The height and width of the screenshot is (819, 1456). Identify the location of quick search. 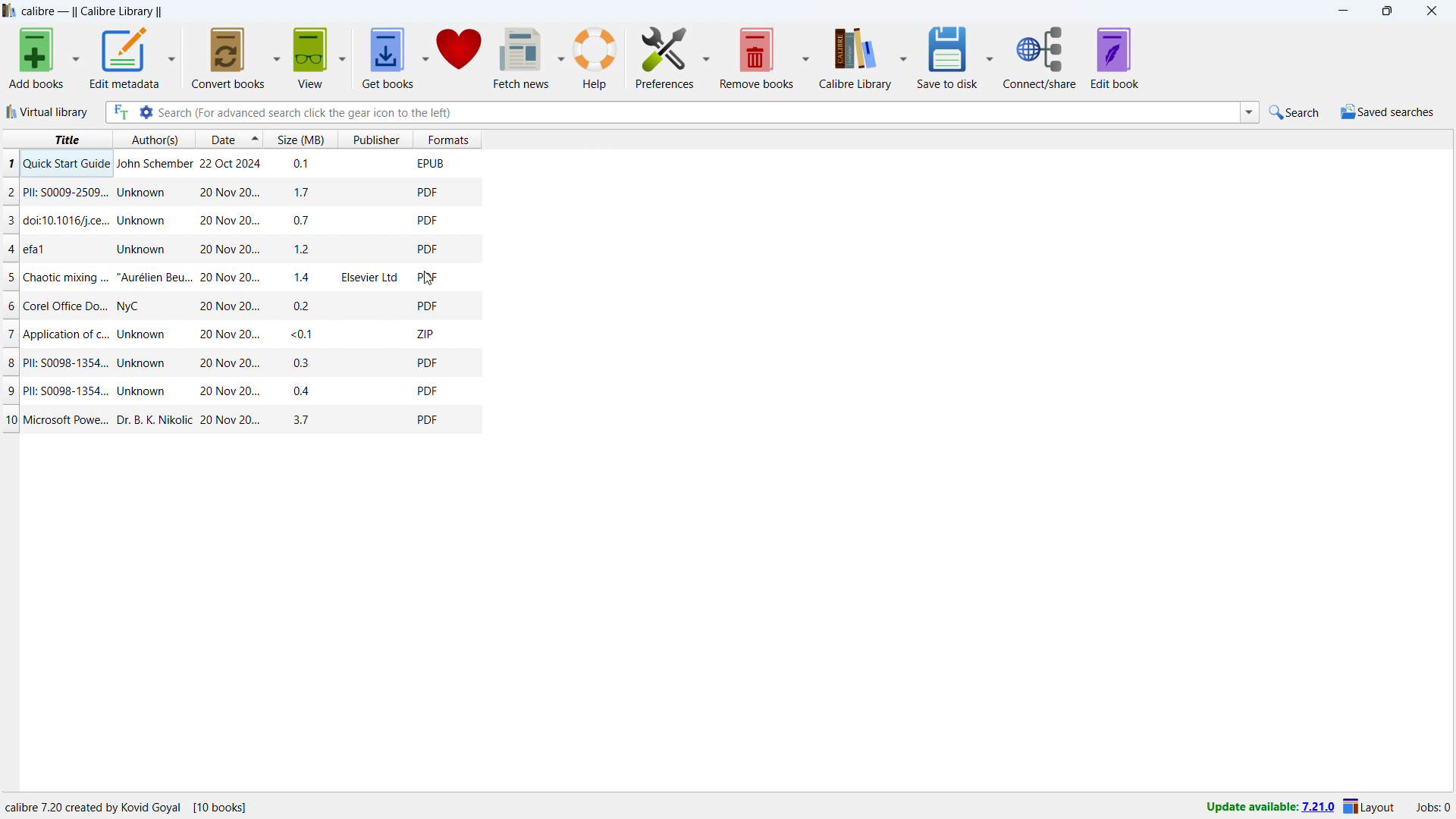
(1295, 111).